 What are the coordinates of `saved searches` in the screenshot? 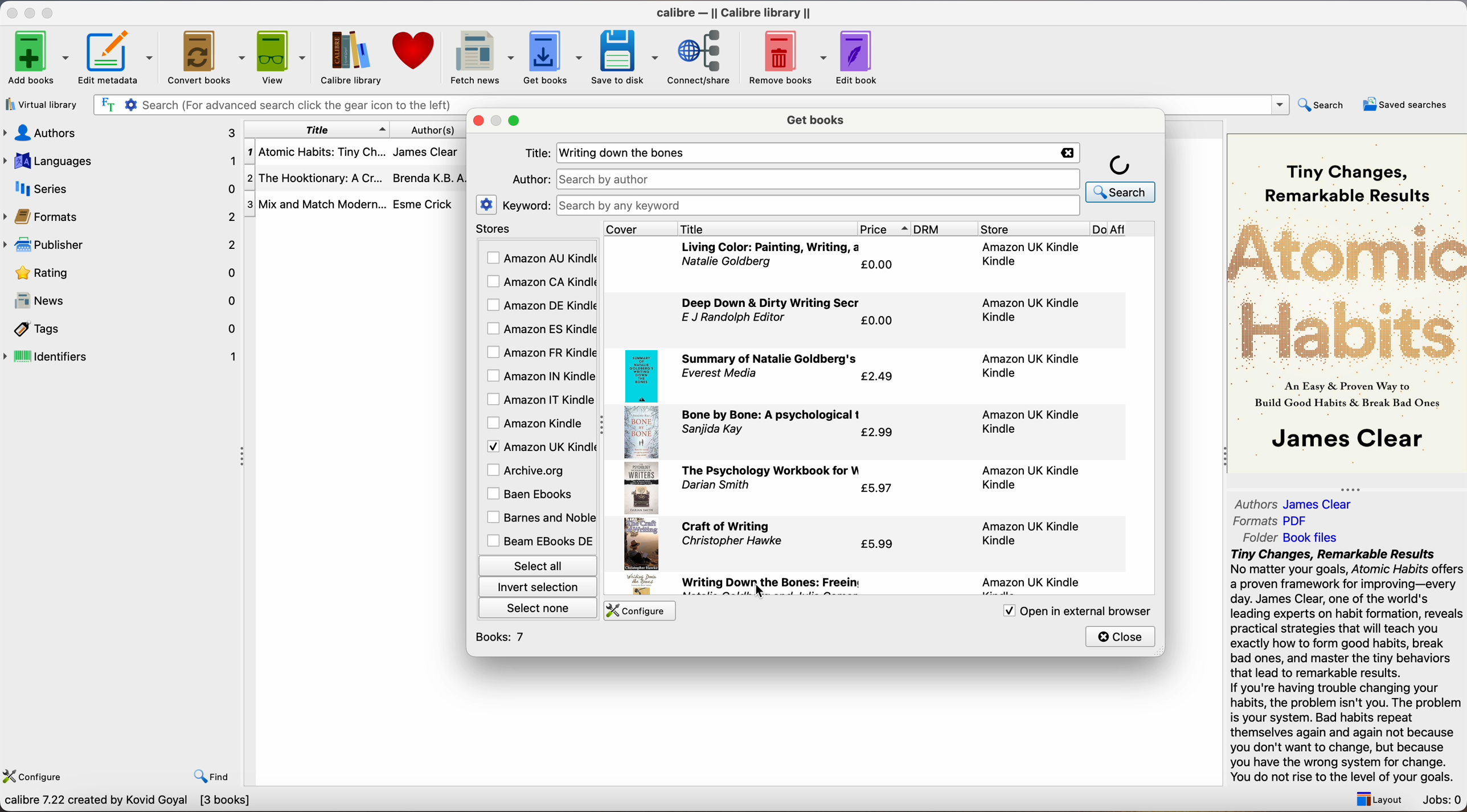 It's located at (1405, 104).